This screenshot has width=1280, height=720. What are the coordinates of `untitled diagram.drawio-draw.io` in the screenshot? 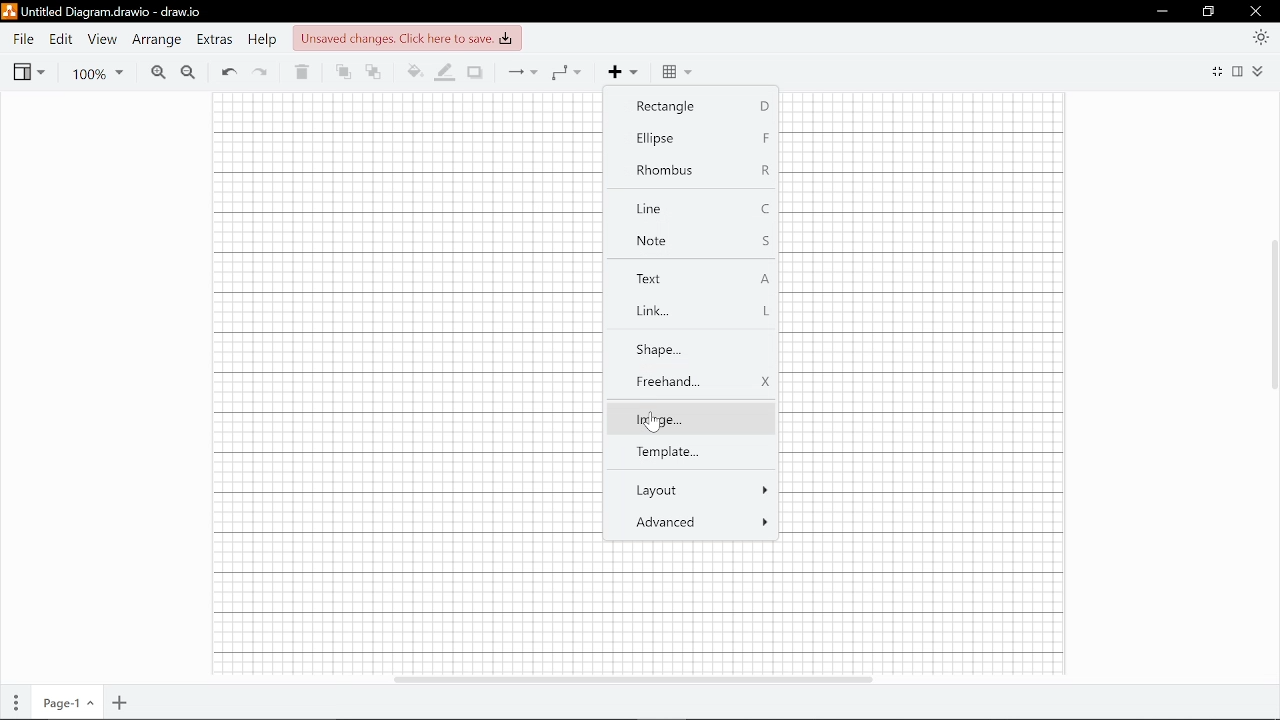 It's located at (114, 11).